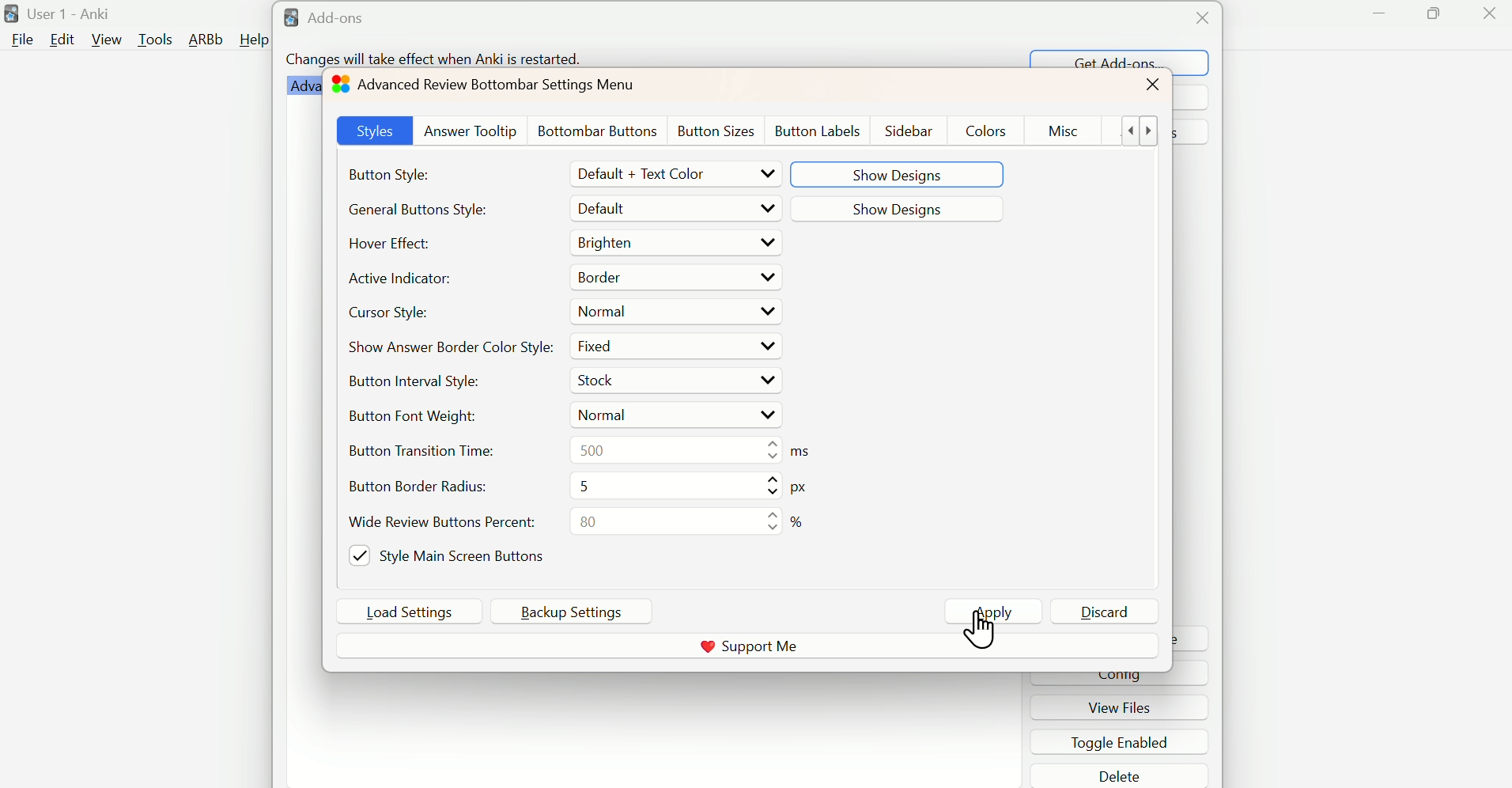  What do you see at coordinates (990, 608) in the screenshot?
I see `Apply` at bounding box center [990, 608].